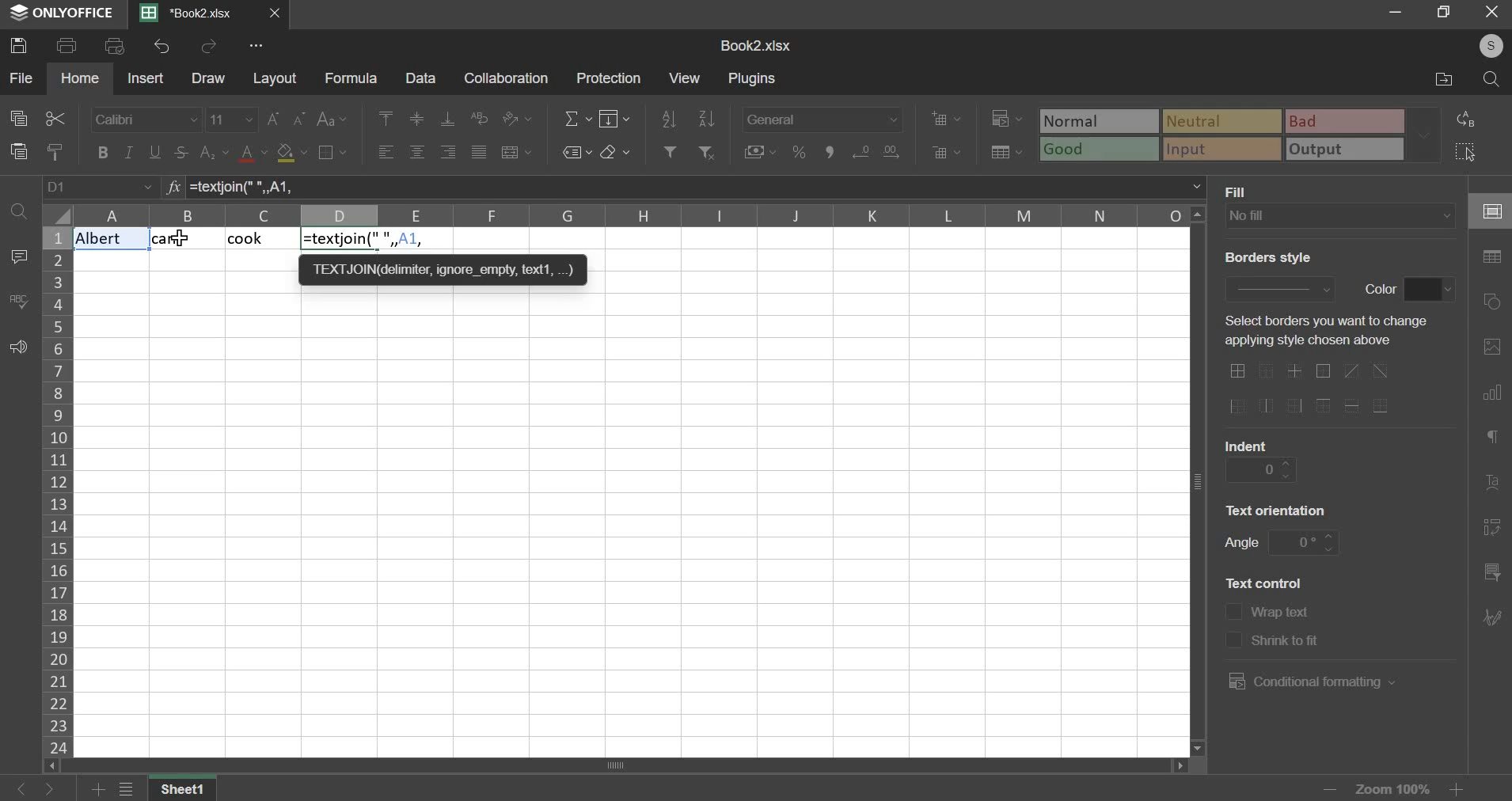 The height and width of the screenshot is (801, 1512). I want to click on maximize, so click(1438, 11).